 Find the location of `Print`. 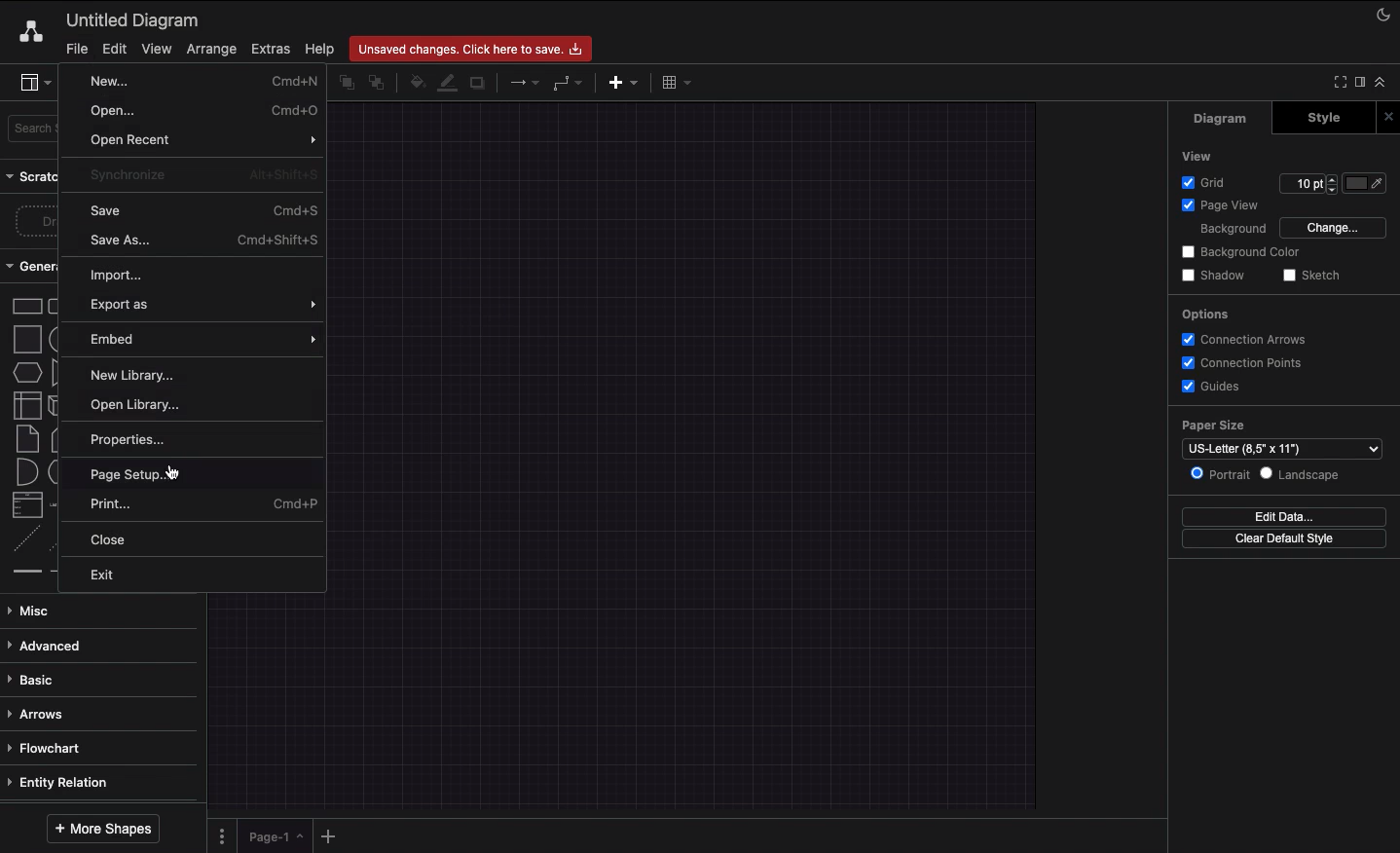

Print is located at coordinates (205, 504).